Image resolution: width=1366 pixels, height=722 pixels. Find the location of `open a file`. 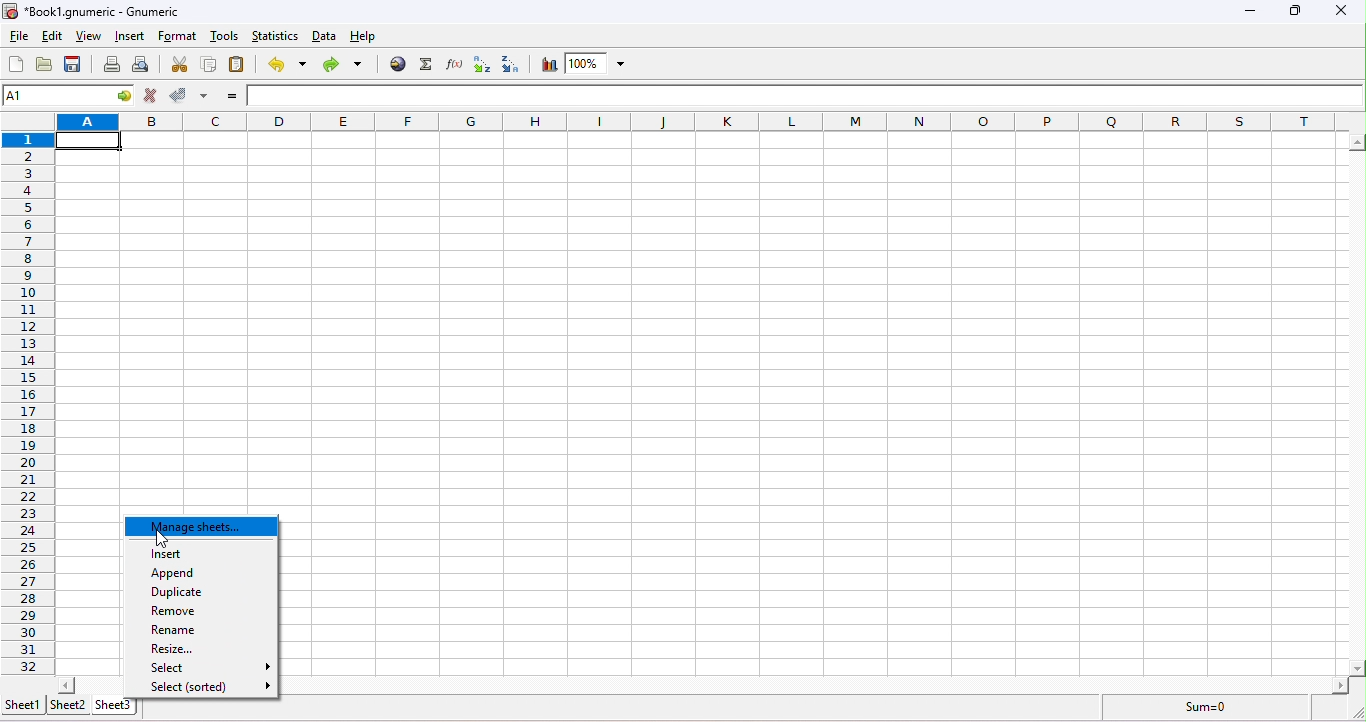

open a file is located at coordinates (47, 66).